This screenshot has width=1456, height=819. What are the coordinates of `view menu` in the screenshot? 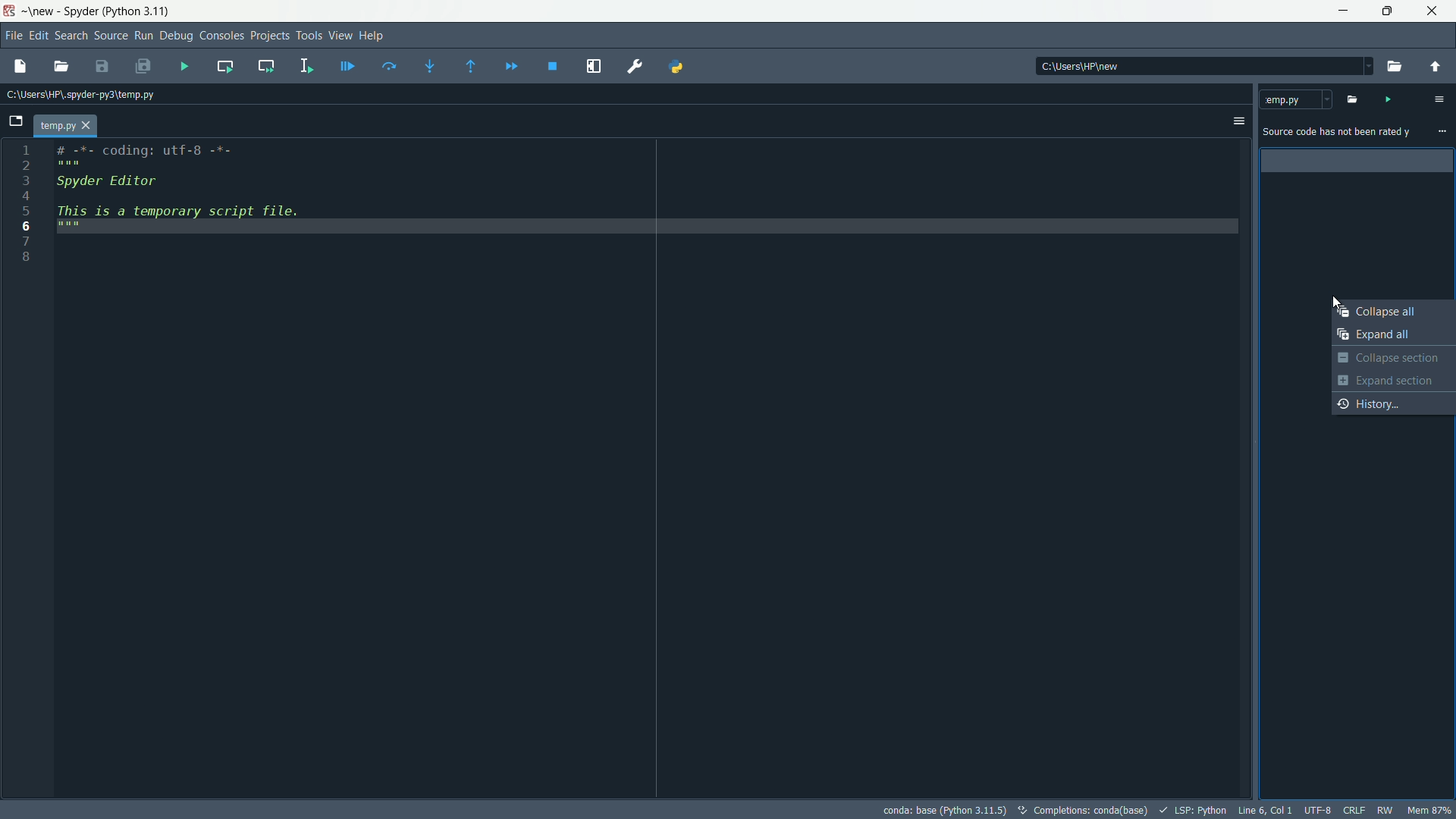 It's located at (340, 35).